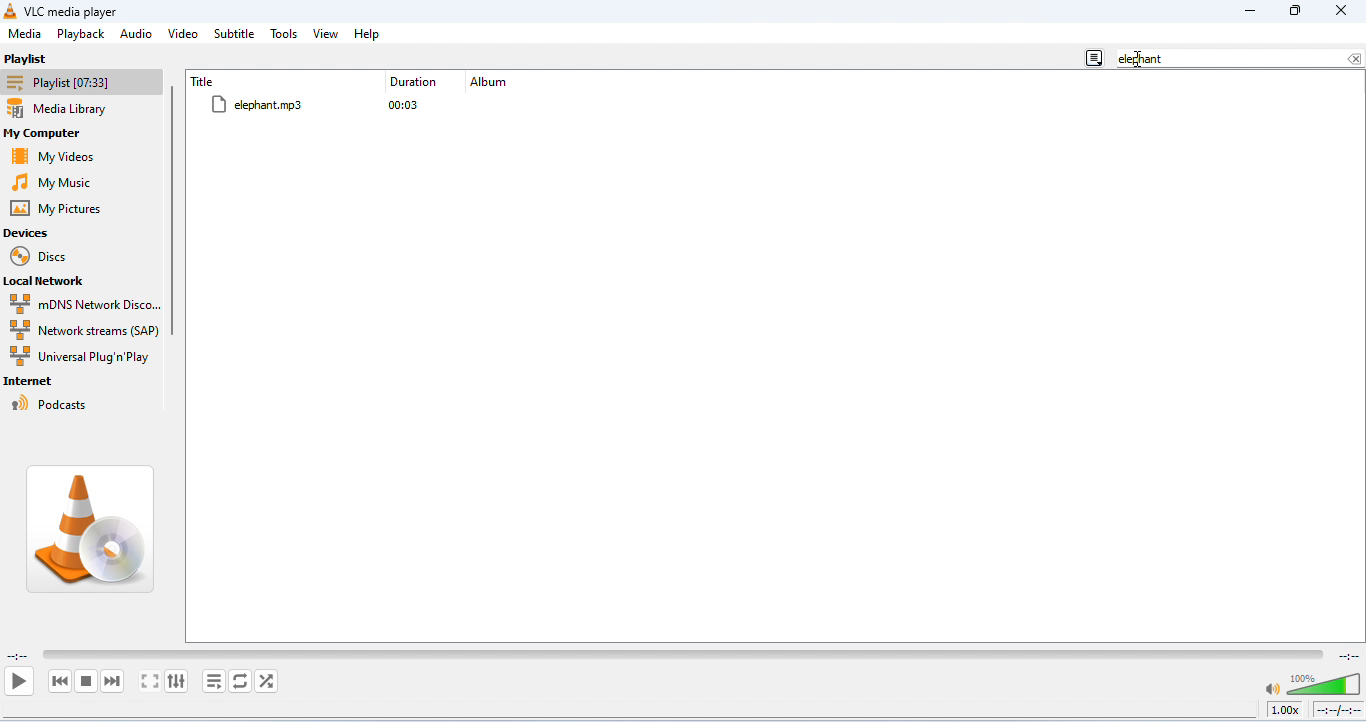 The image size is (1366, 722). Describe the element at coordinates (74, 11) in the screenshot. I see `VLC media player` at that location.